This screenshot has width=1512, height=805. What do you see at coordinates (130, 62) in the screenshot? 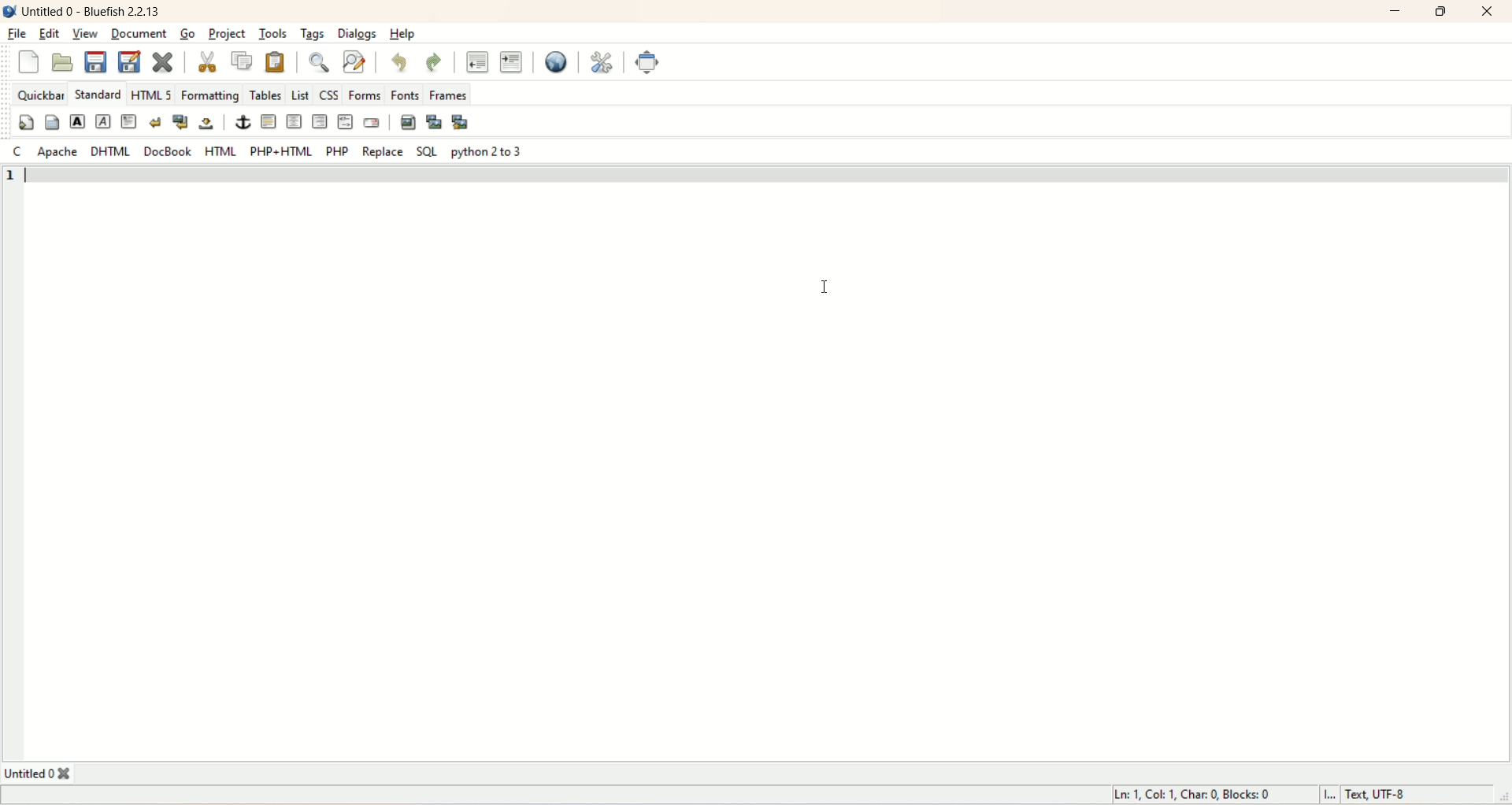
I see `save file as` at bounding box center [130, 62].